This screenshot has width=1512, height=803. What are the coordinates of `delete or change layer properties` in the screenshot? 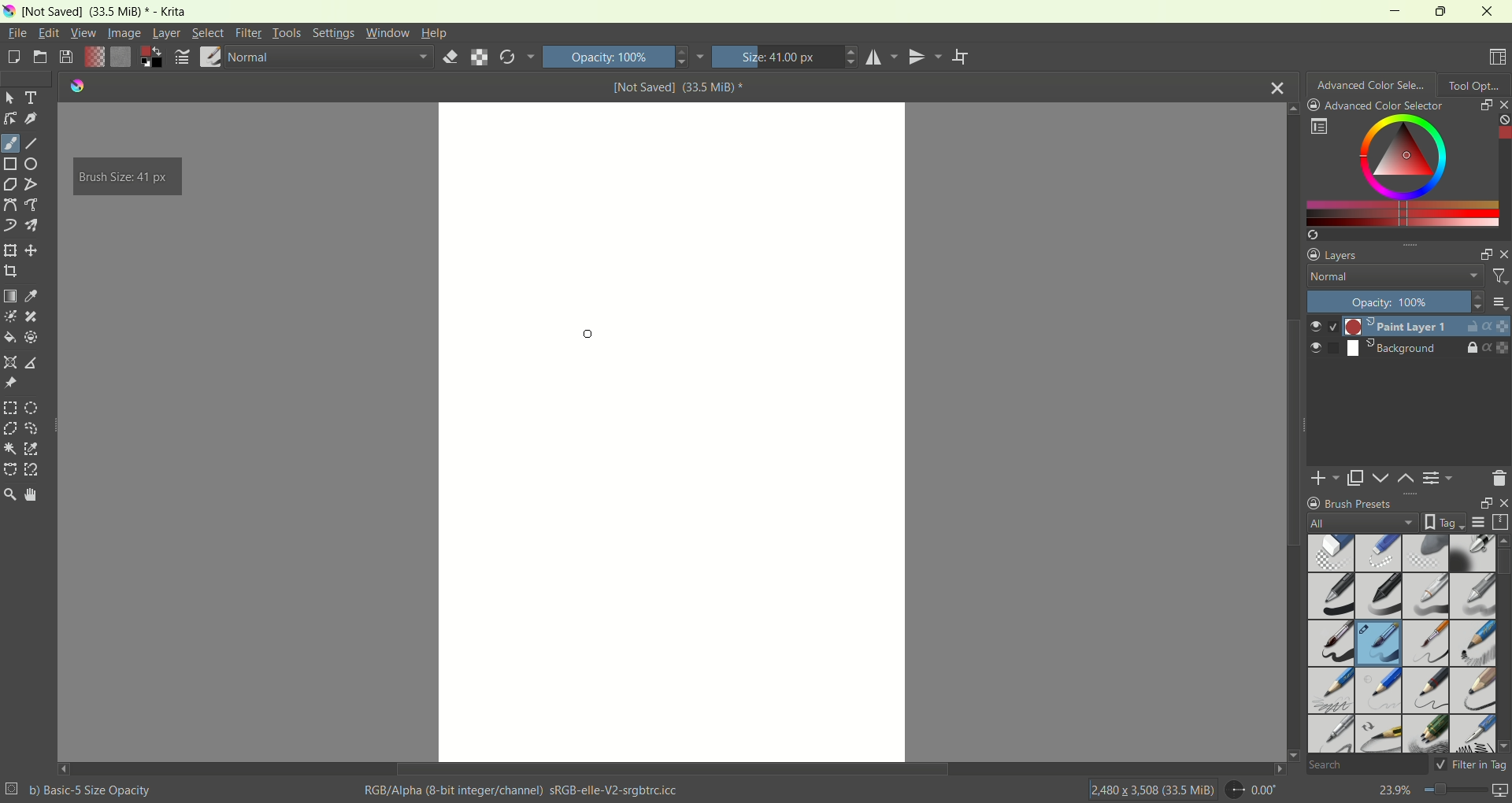 It's located at (1440, 480).